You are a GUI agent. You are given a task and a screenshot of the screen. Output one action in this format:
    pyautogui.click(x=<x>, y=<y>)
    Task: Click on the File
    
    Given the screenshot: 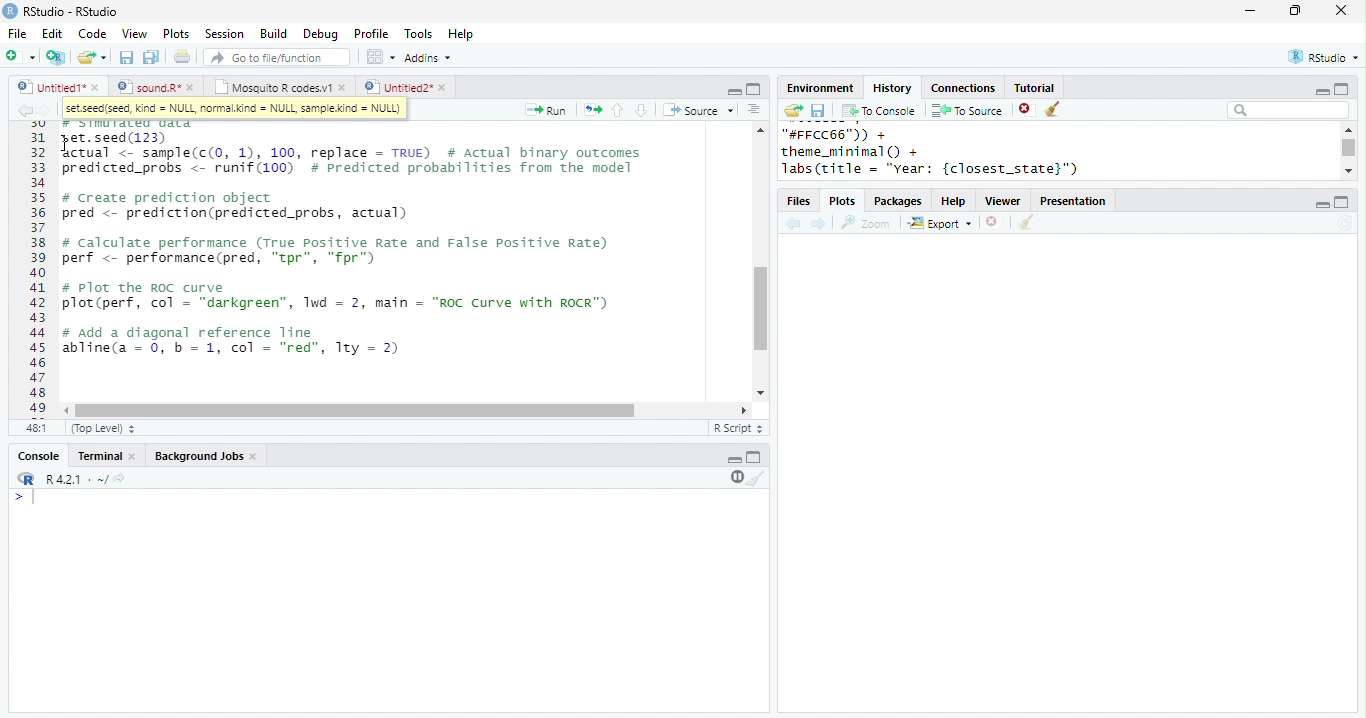 What is the action you would take?
    pyautogui.click(x=17, y=34)
    